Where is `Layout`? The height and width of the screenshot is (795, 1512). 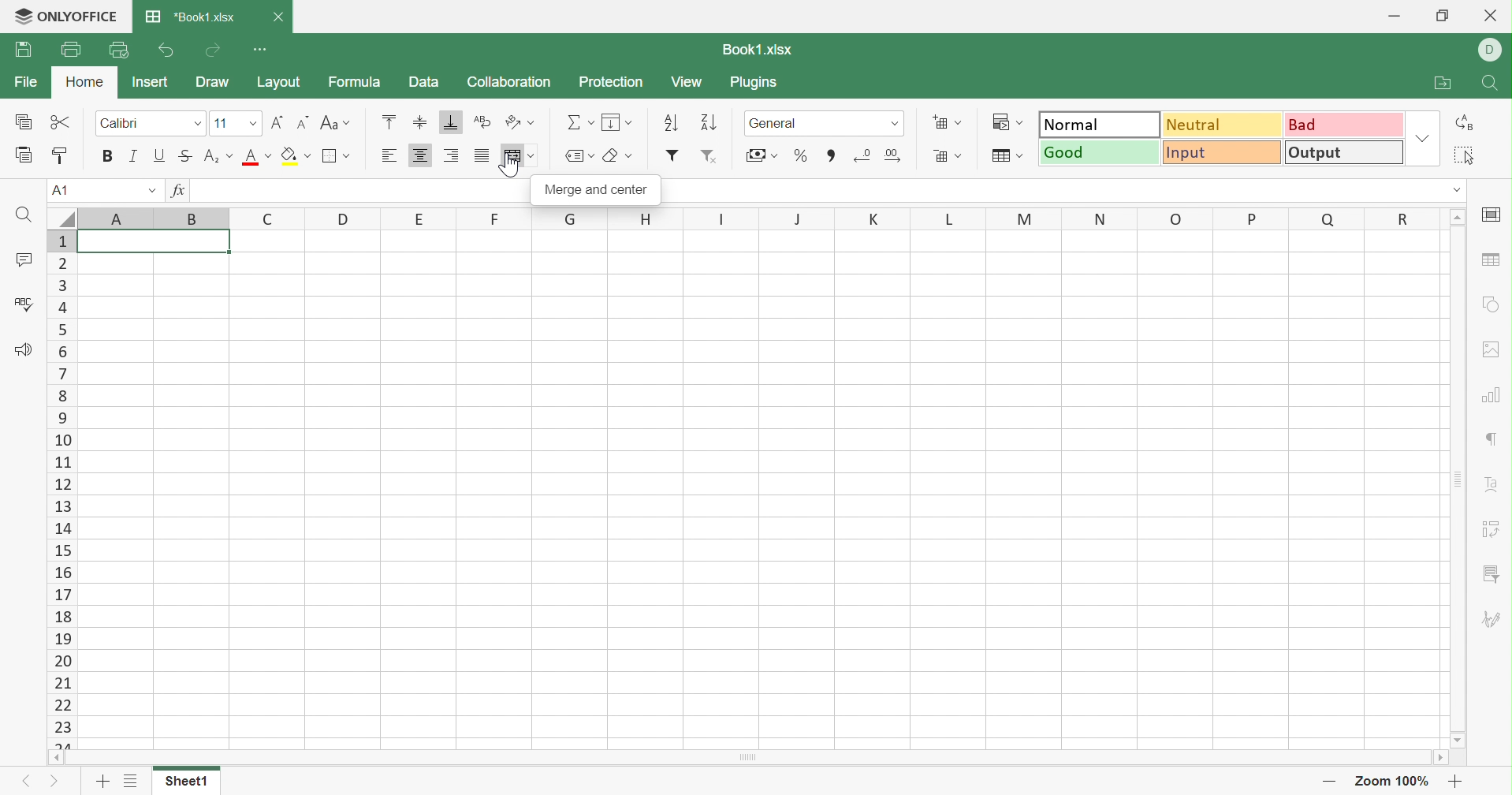
Layout is located at coordinates (277, 82).